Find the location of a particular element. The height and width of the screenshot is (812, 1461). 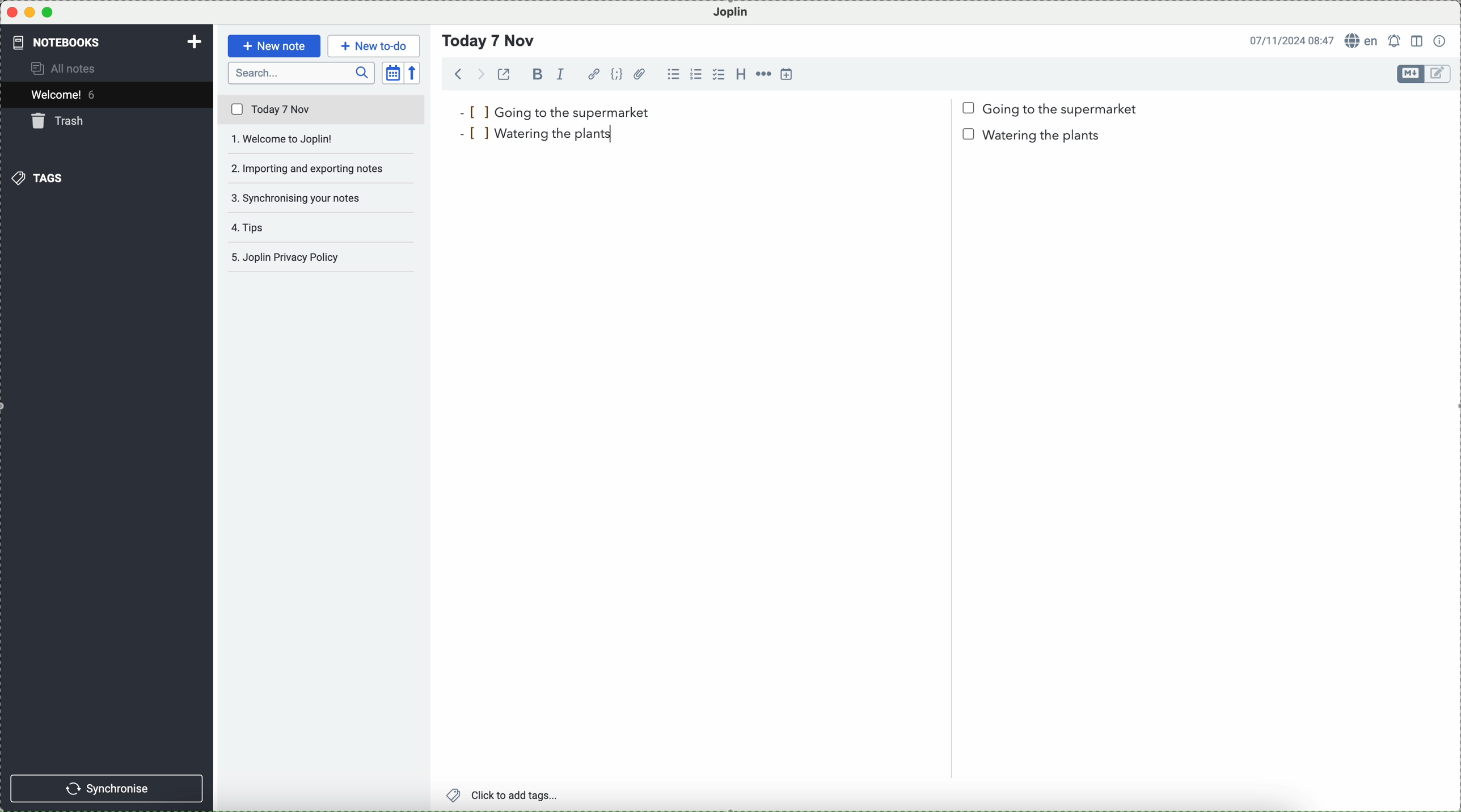

tags is located at coordinates (37, 178).